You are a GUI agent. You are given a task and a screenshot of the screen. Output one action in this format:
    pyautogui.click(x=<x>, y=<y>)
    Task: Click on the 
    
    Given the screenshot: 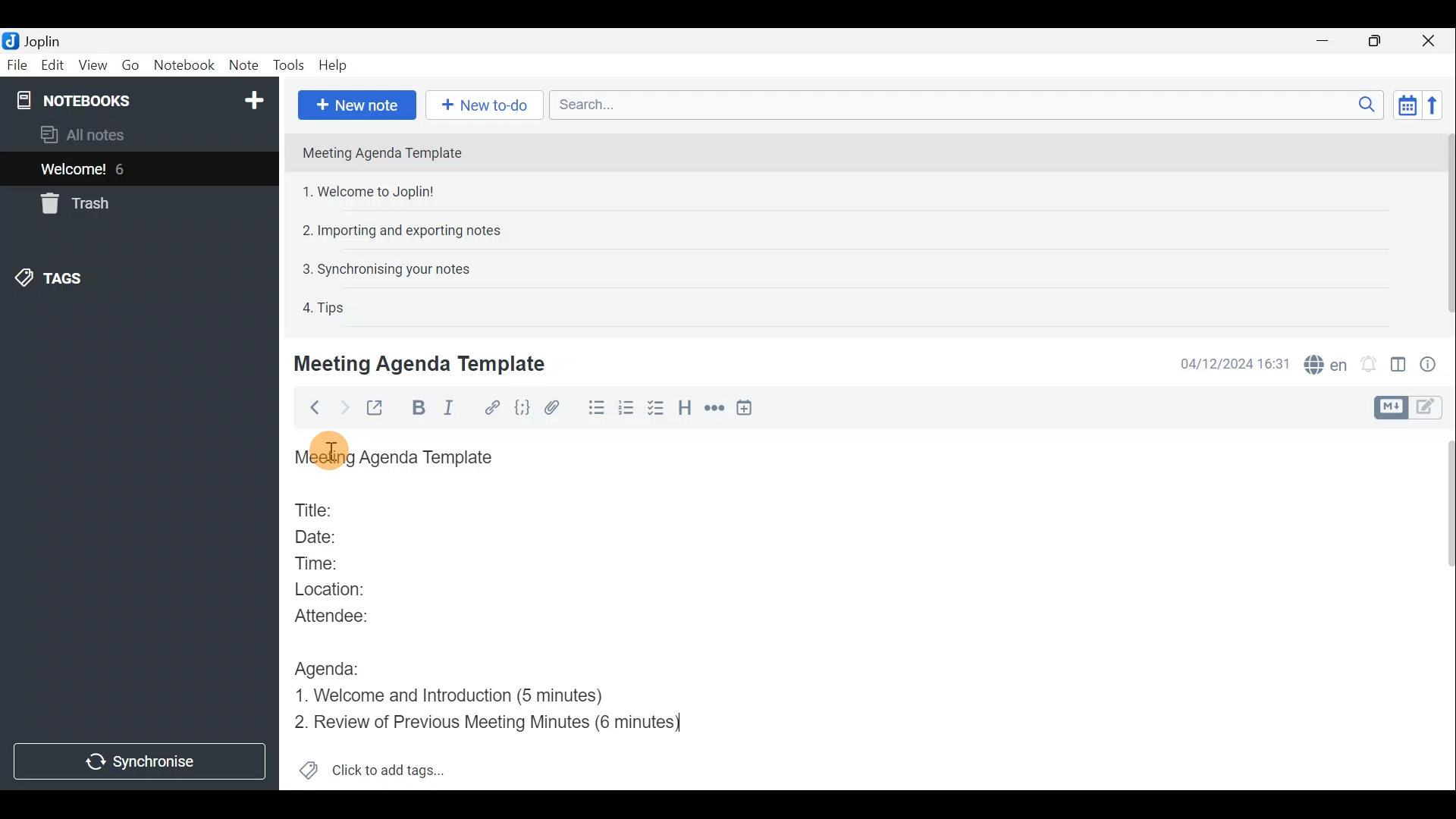 What is the action you would take?
    pyautogui.click(x=331, y=454)
    